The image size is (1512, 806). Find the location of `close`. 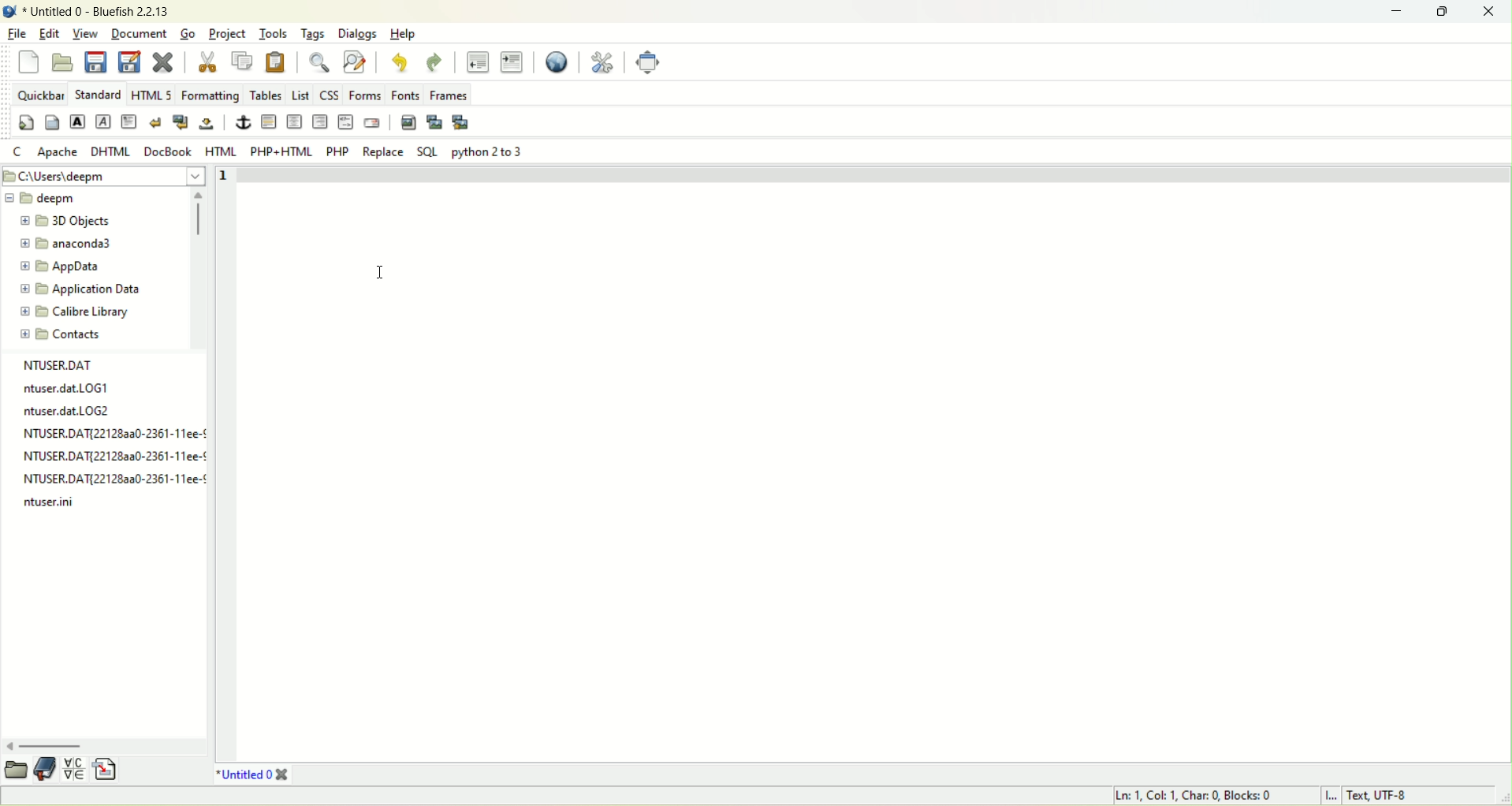

close is located at coordinates (1488, 11).